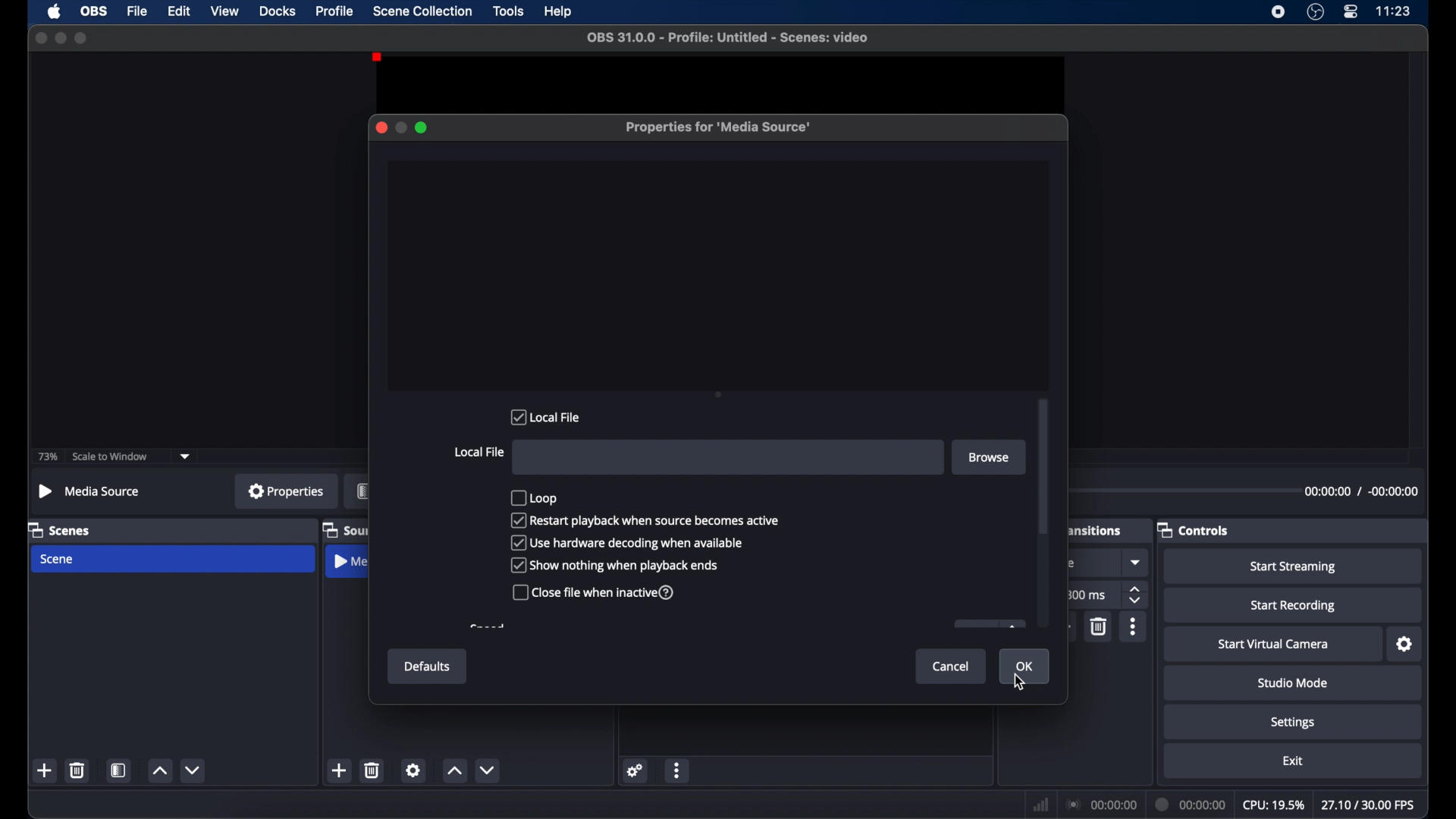 Image resolution: width=1456 pixels, height=819 pixels. I want to click on sources, so click(345, 528).